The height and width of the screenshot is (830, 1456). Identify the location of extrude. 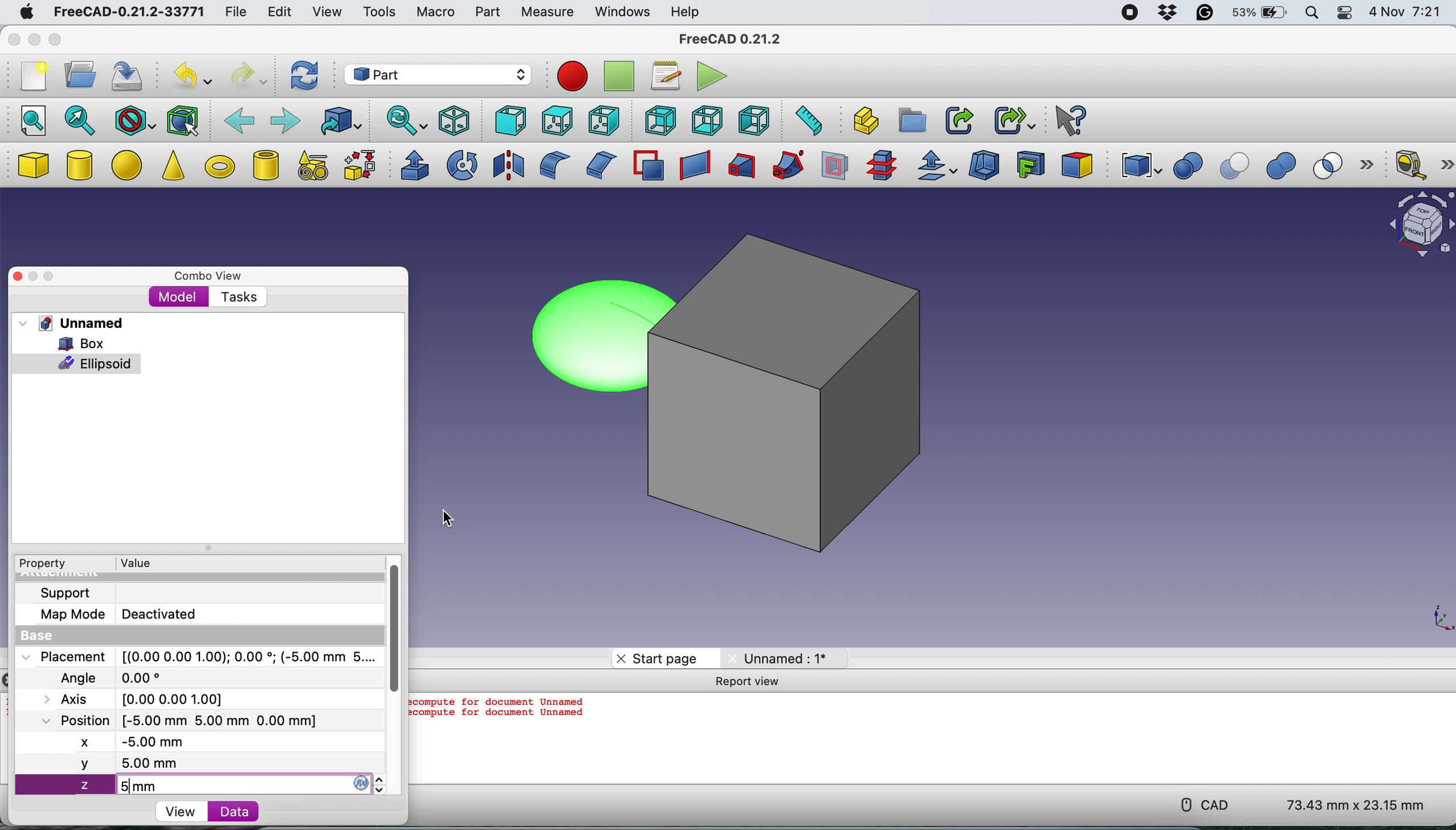
(411, 165).